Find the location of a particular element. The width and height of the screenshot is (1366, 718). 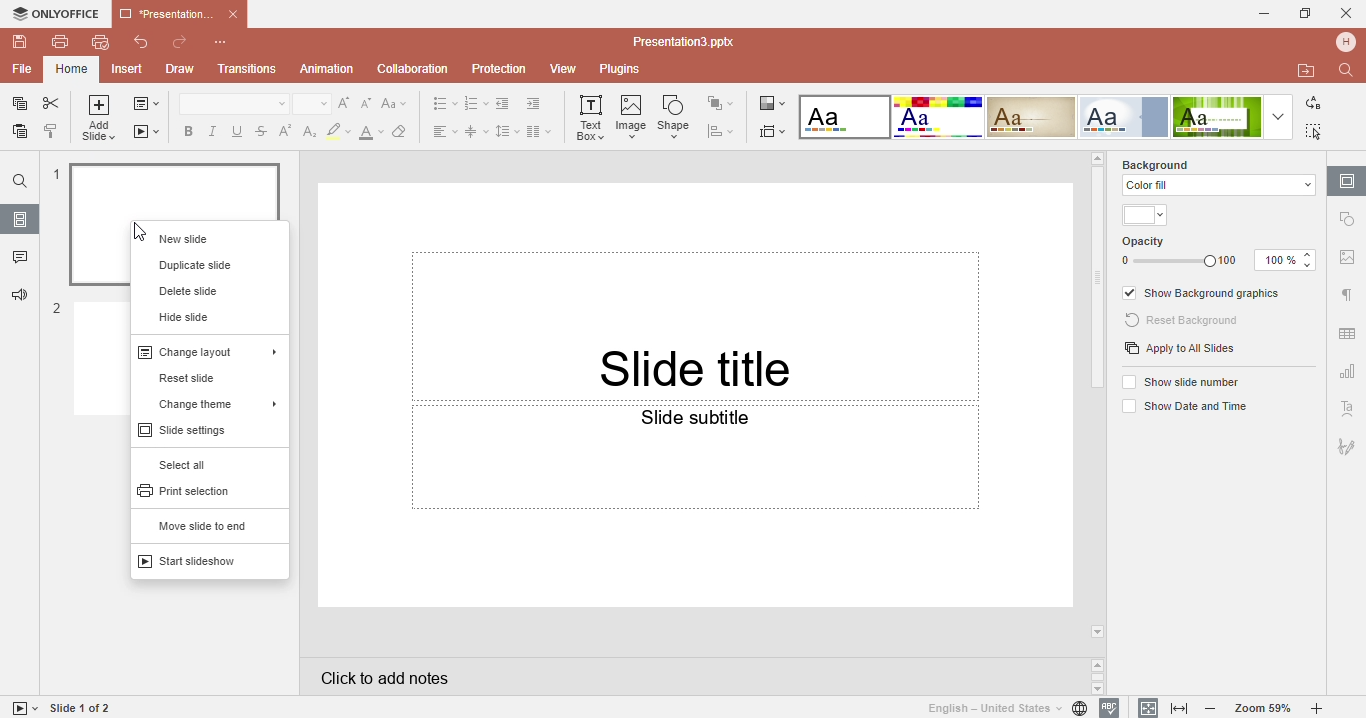

Bullets is located at coordinates (444, 104).